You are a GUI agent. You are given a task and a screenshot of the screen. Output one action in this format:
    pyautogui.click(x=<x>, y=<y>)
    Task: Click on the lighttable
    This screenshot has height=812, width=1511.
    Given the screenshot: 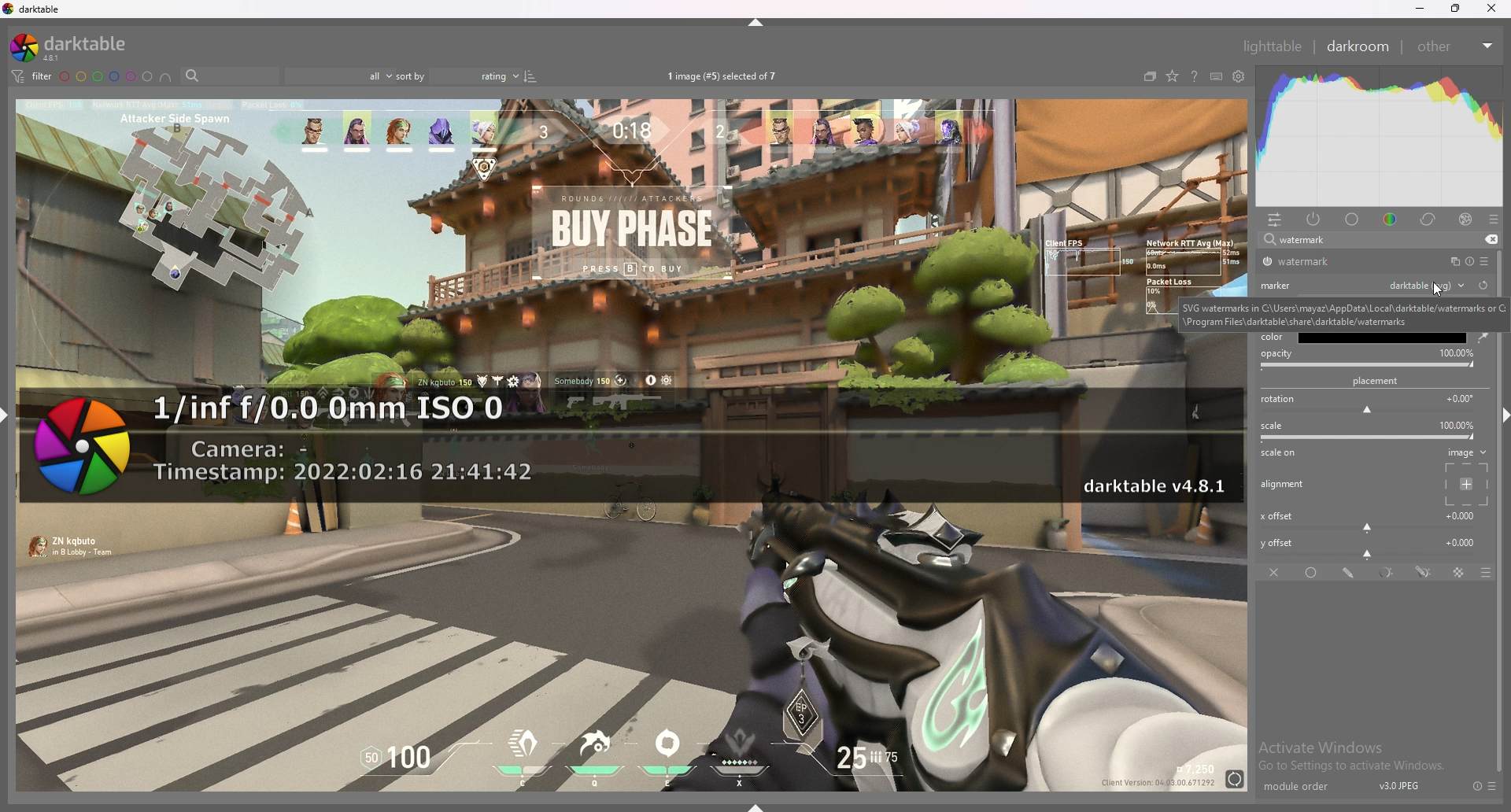 What is the action you would take?
    pyautogui.click(x=1272, y=46)
    